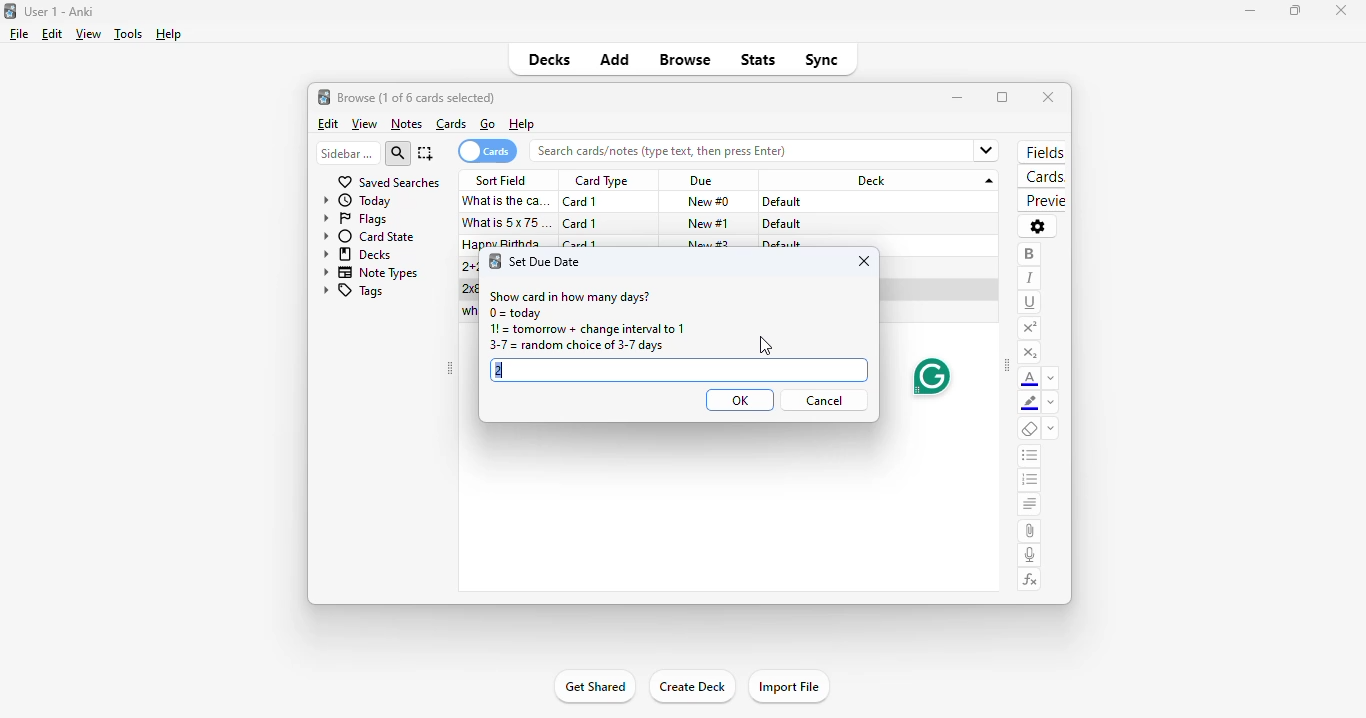  What do you see at coordinates (353, 292) in the screenshot?
I see `tags` at bounding box center [353, 292].